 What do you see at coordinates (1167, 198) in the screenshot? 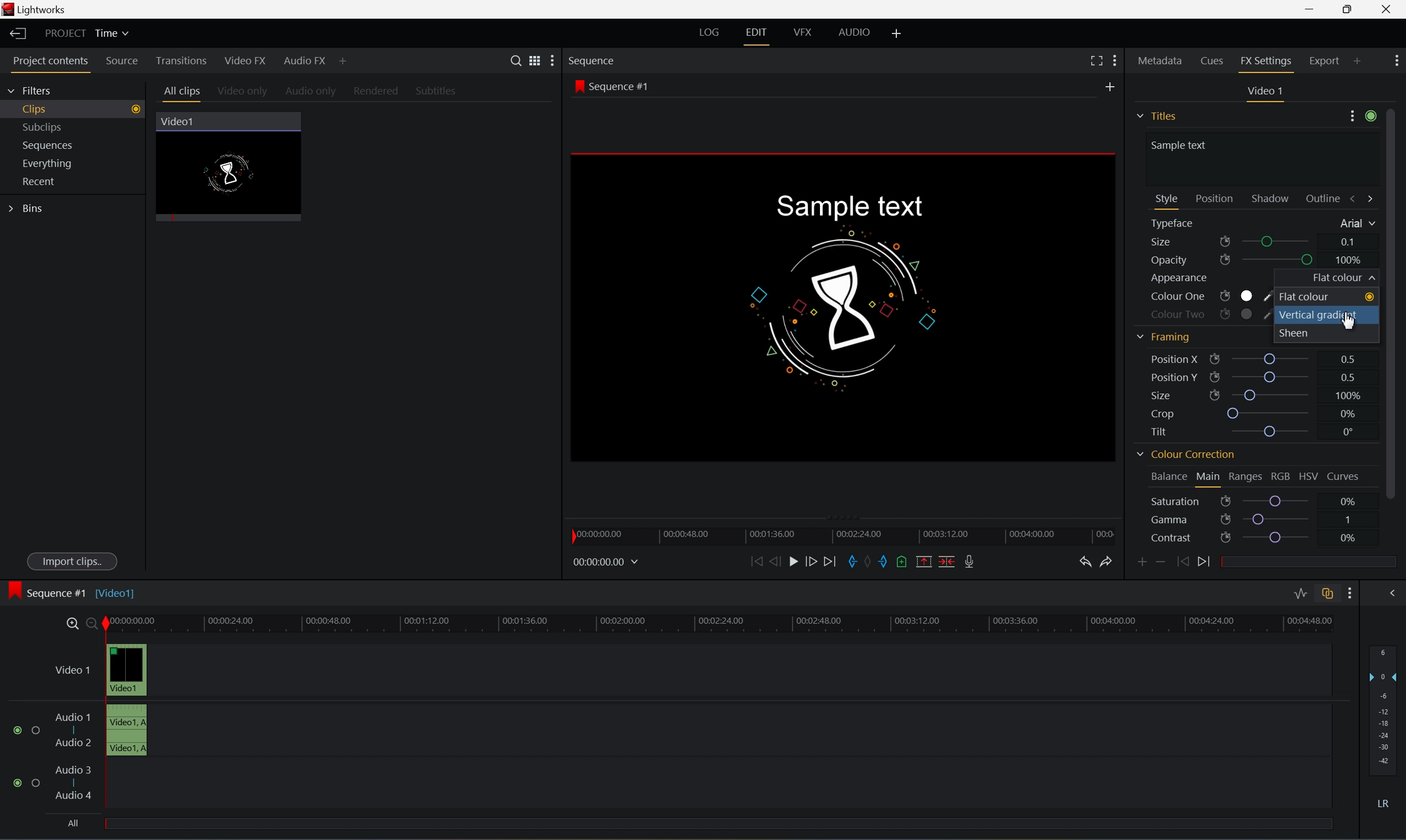
I see `style` at bounding box center [1167, 198].